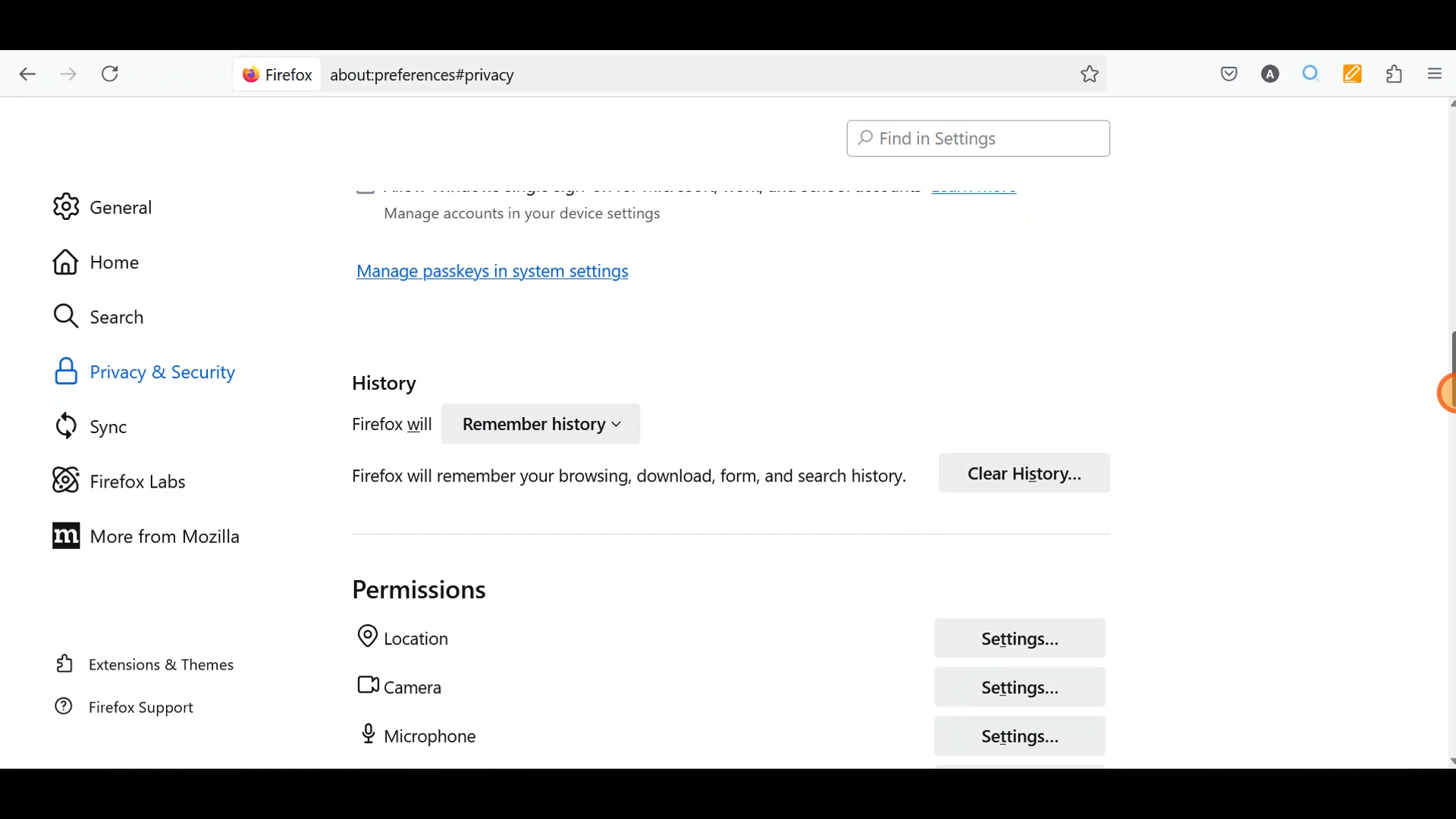  I want to click on Drag to, so click(1433, 396).